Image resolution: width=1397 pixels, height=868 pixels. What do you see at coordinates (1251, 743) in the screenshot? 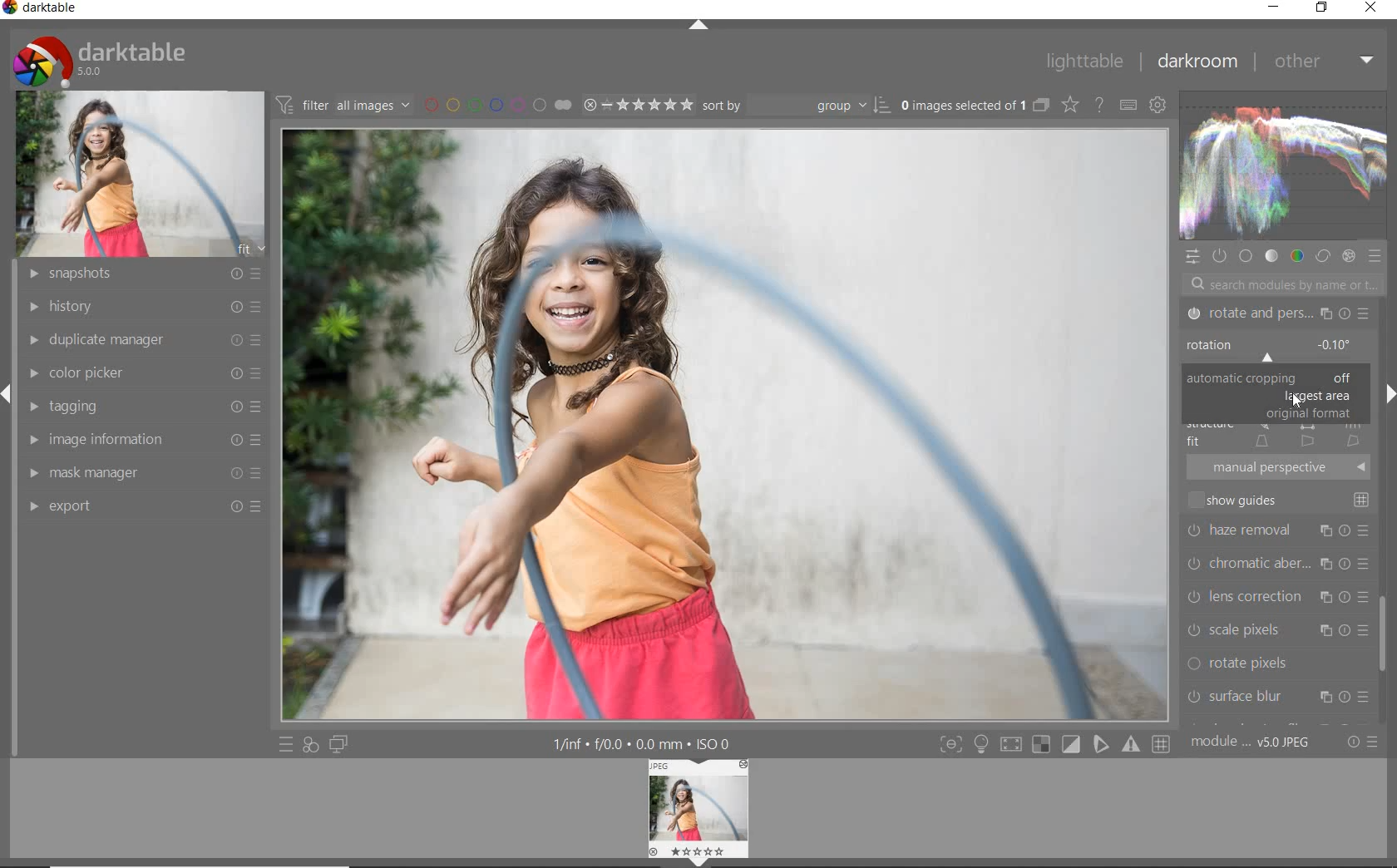
I see `module order` at bounding box center [1251, 743].